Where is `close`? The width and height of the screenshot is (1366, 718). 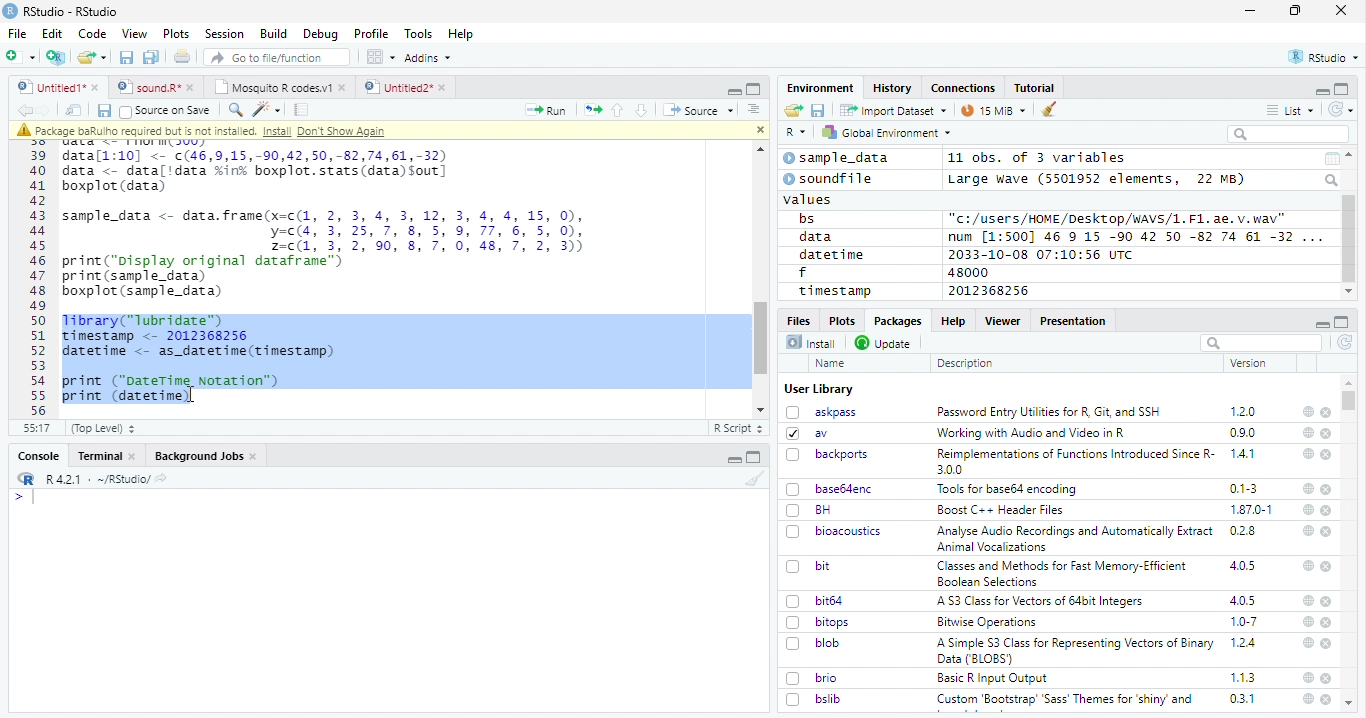
close is located at coordinates (757, 128).